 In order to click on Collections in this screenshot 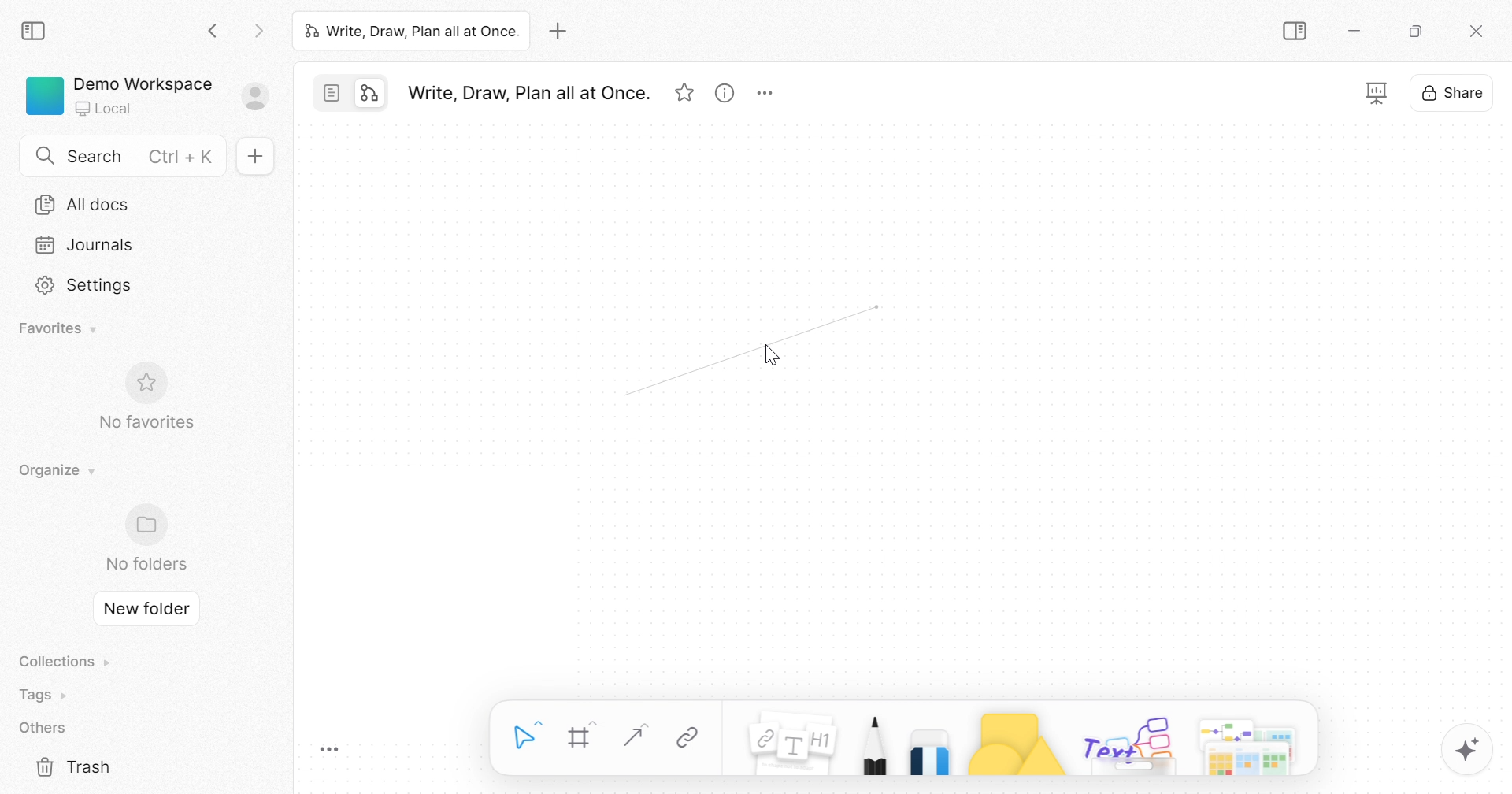, I will do `click(61, 662)`.